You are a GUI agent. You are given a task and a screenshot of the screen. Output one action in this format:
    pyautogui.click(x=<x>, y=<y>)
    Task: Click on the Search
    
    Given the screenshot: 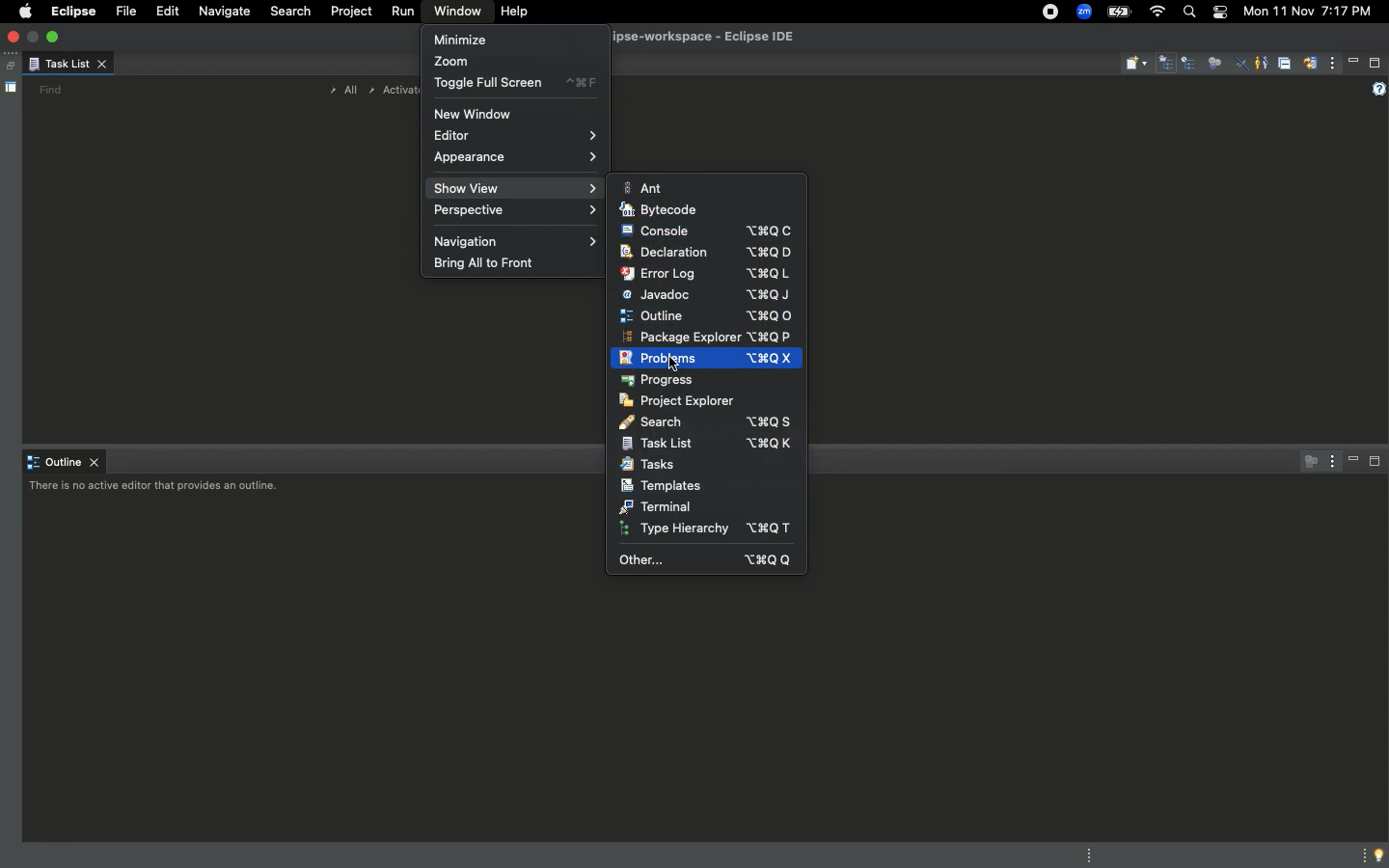 What is the action you would take?
    pyautogui.click(x=290, y=14)
    